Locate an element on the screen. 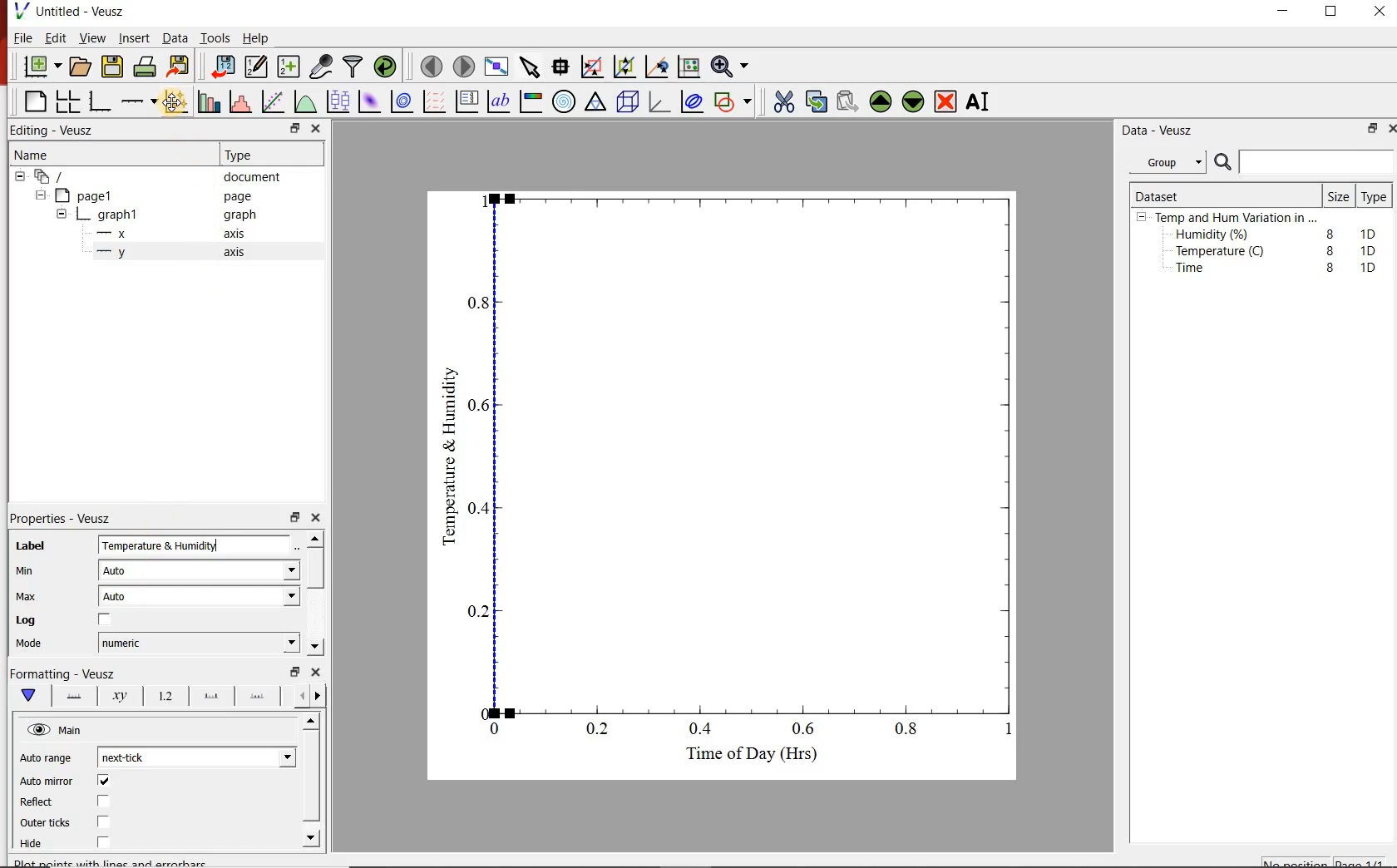 Image resolution: width=1397 pixels, height=868 pixels. Formatting - Veusz is located at coordinates (67, 675).